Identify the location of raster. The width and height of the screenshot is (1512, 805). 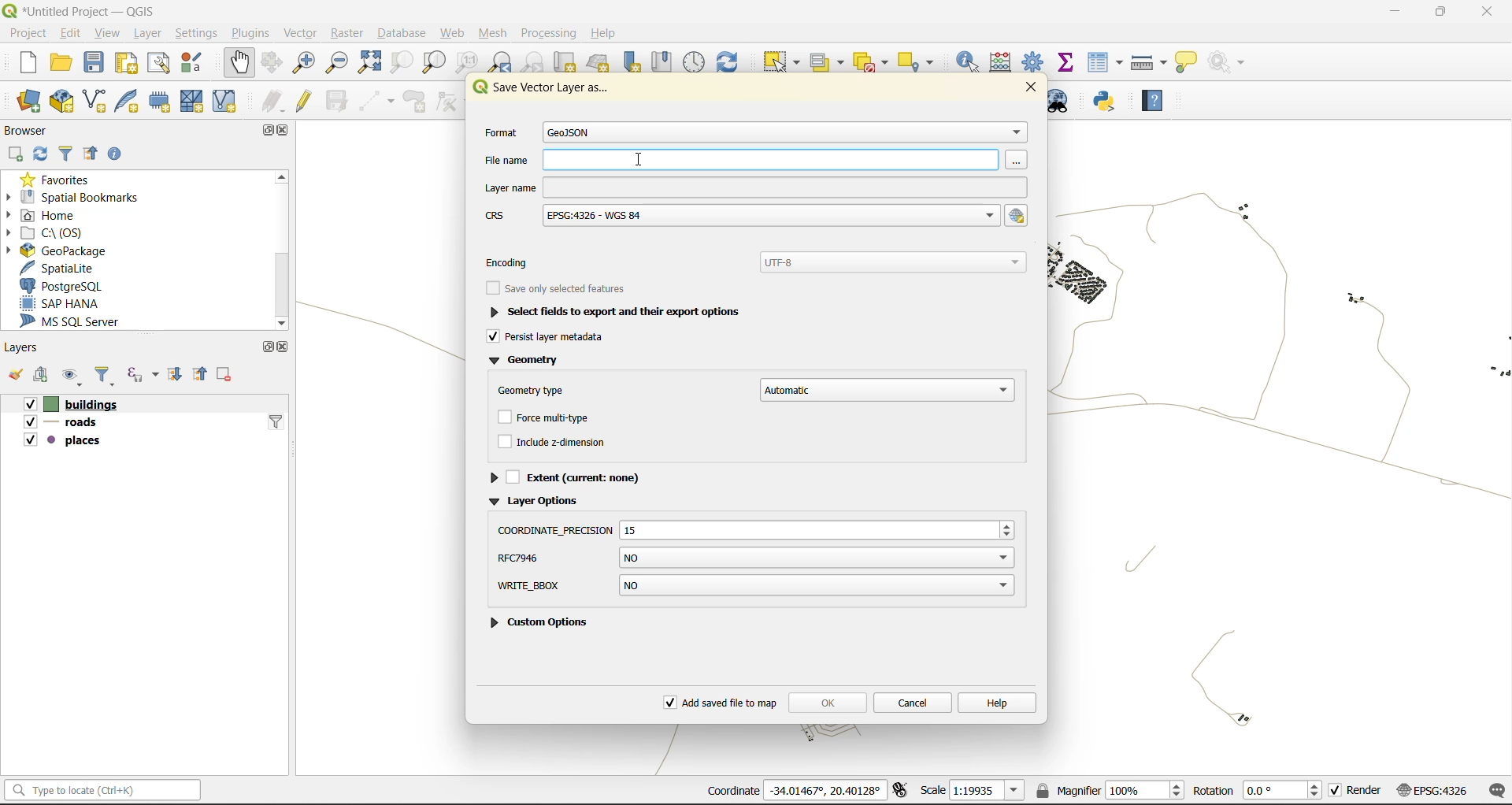
(351, 33).